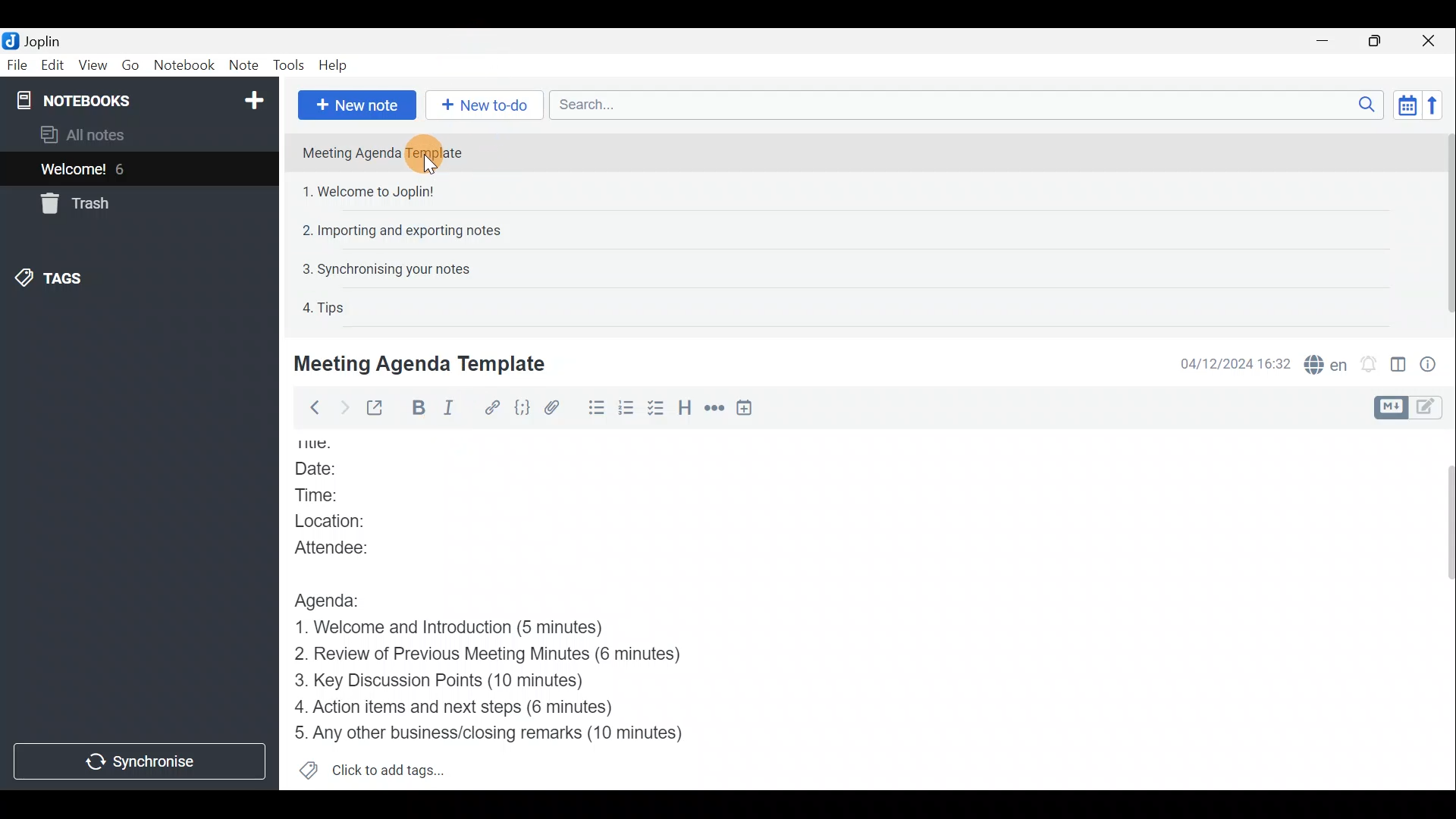 The image size is (1456, 819). I want to click on Cursor, so click(429, 166).